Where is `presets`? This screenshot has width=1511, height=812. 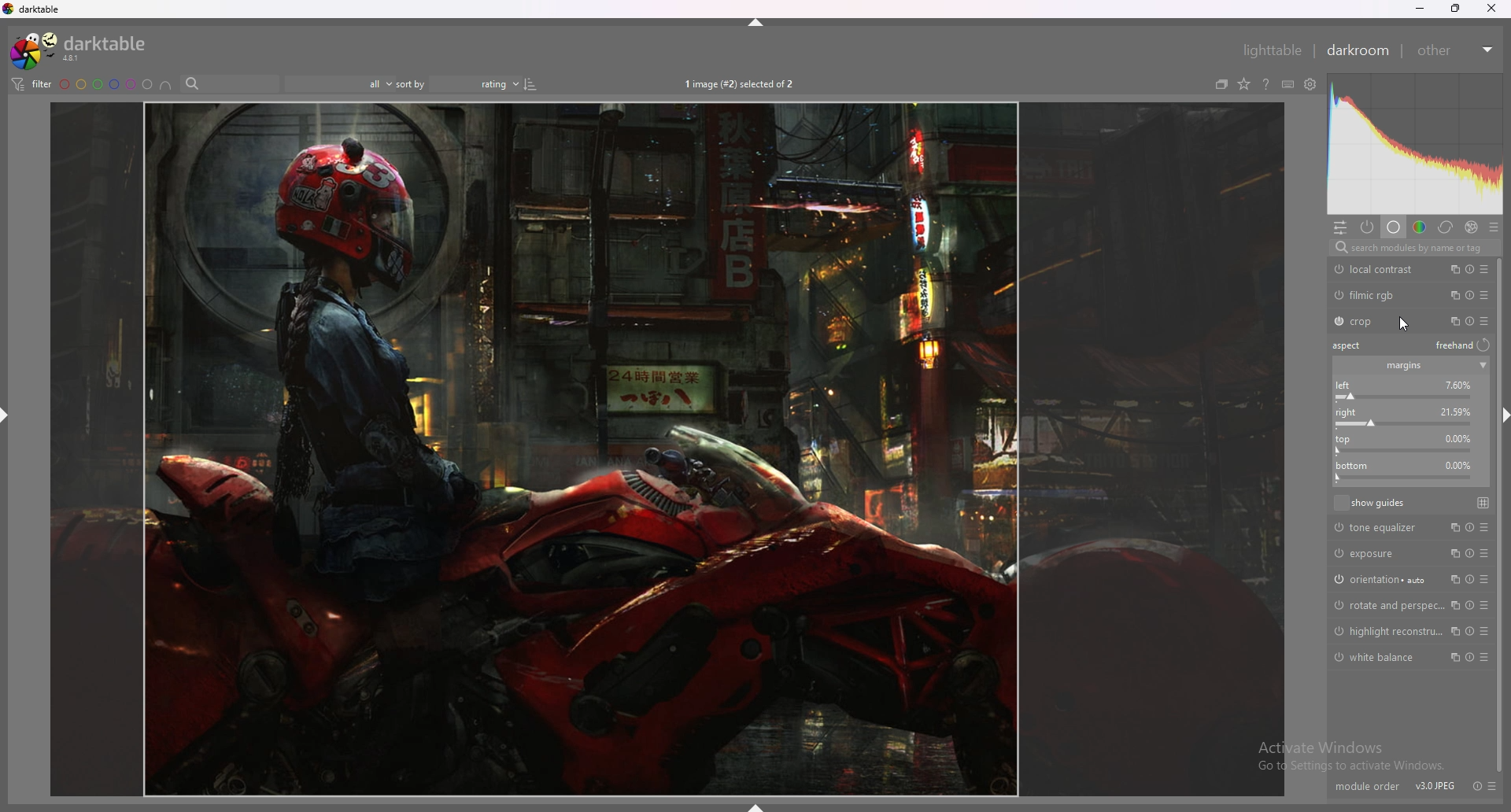
presets is located at coordinates (1484, 295).